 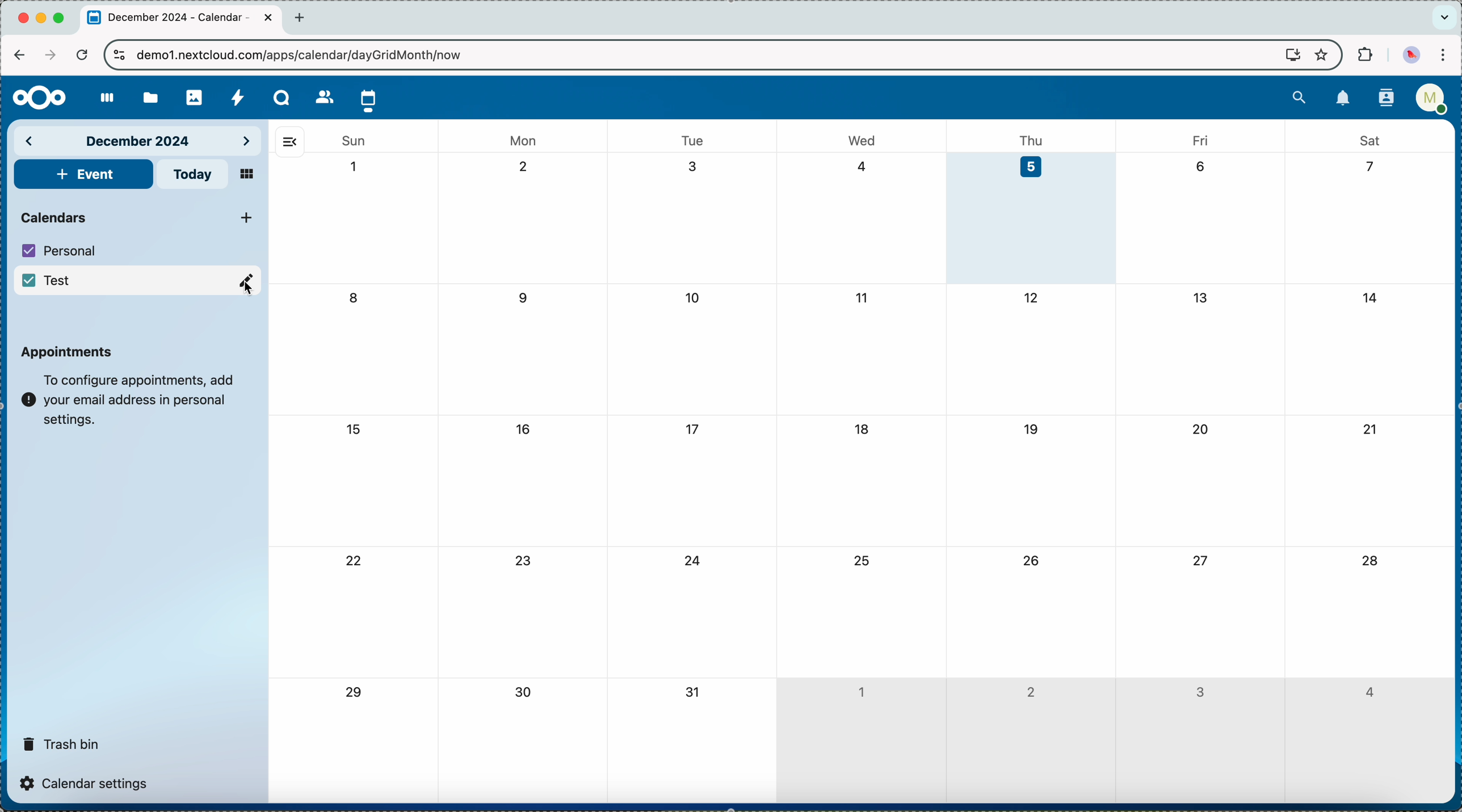 What do you see at coordinates (863, 166) in the screenshot?
I see `4` at bounding box center [863, 166].